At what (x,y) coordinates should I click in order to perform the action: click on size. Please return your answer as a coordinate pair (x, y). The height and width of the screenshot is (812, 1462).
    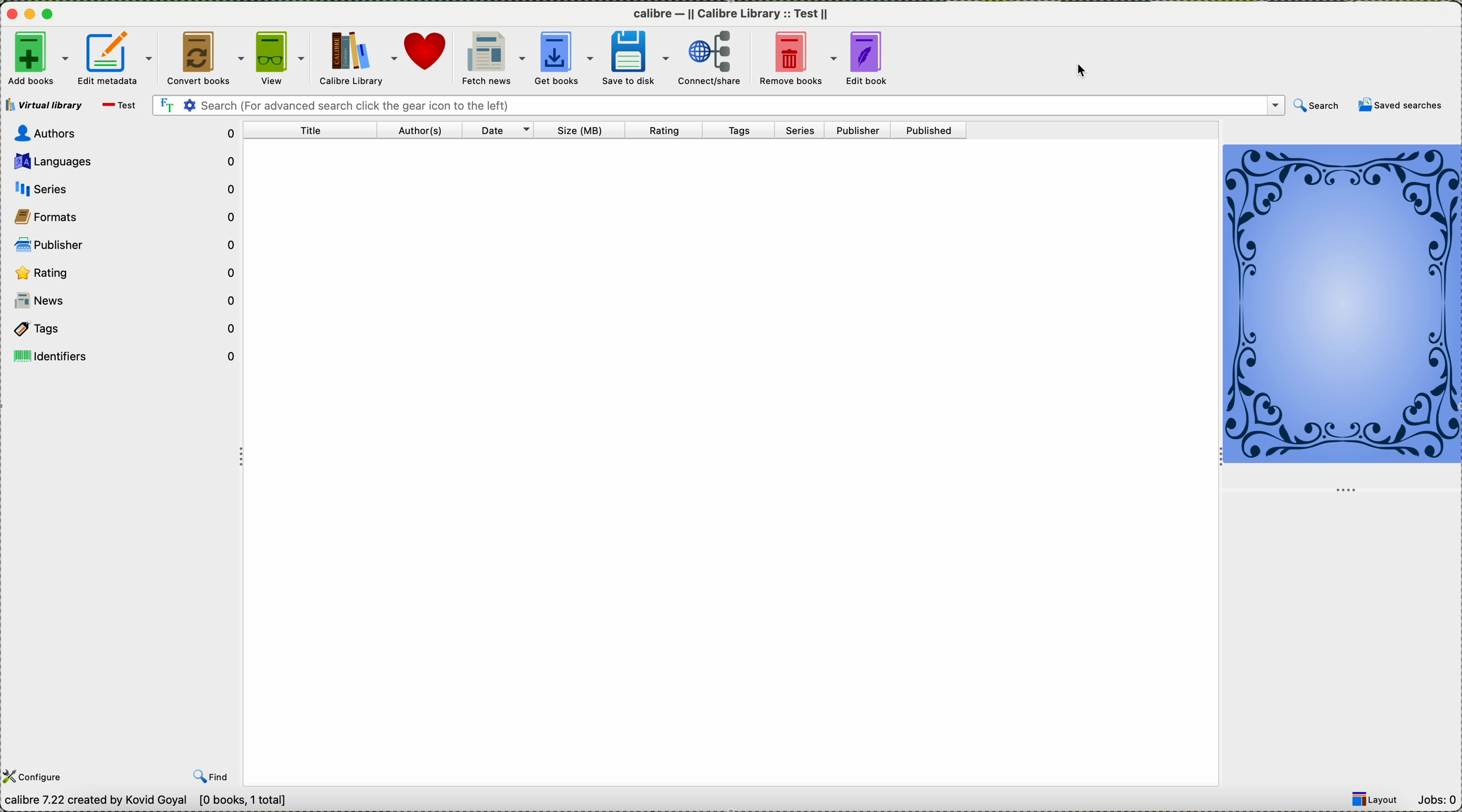
    Looking at the image, I should click on (596, 131).